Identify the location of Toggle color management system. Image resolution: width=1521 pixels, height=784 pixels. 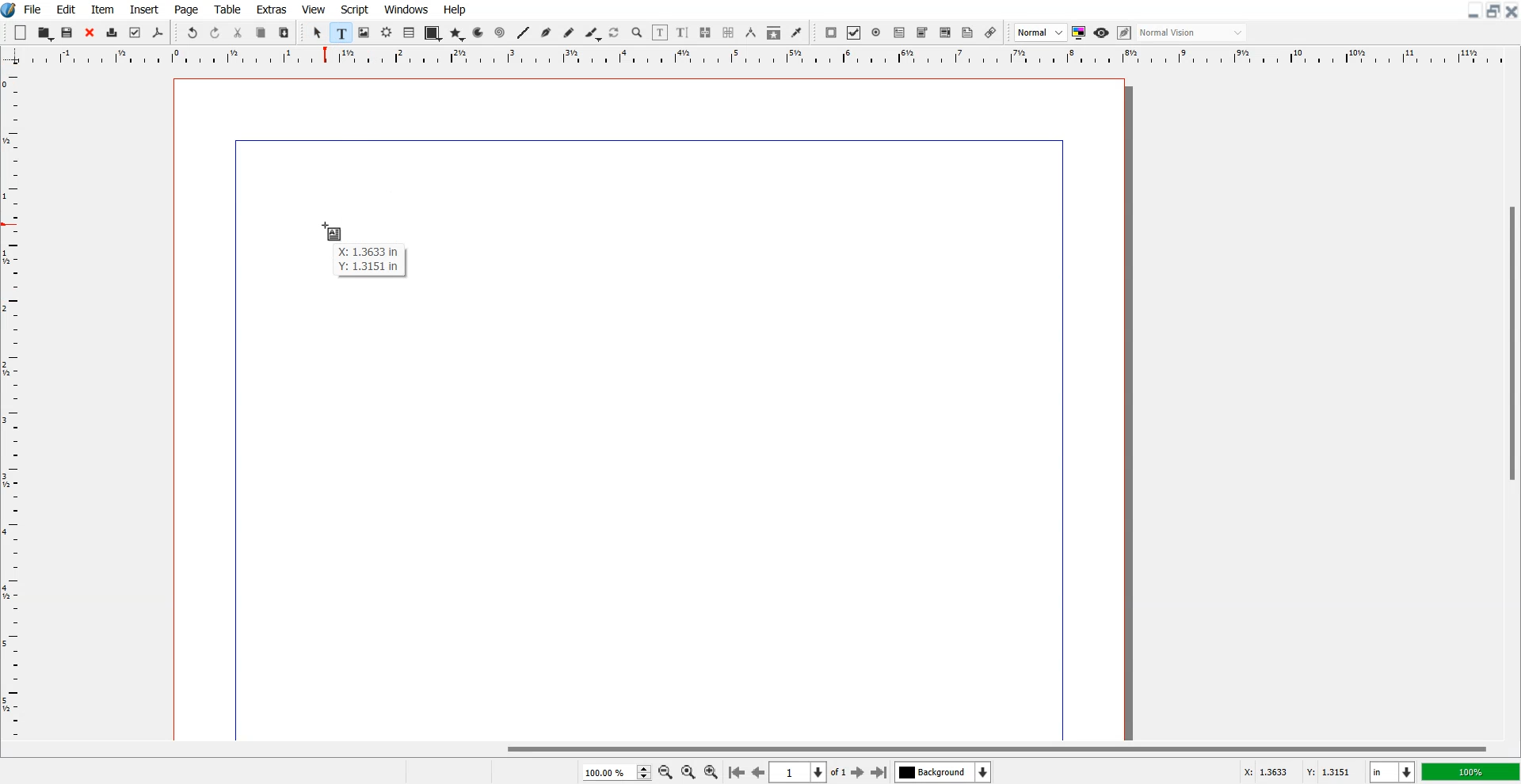
(1080, 32).